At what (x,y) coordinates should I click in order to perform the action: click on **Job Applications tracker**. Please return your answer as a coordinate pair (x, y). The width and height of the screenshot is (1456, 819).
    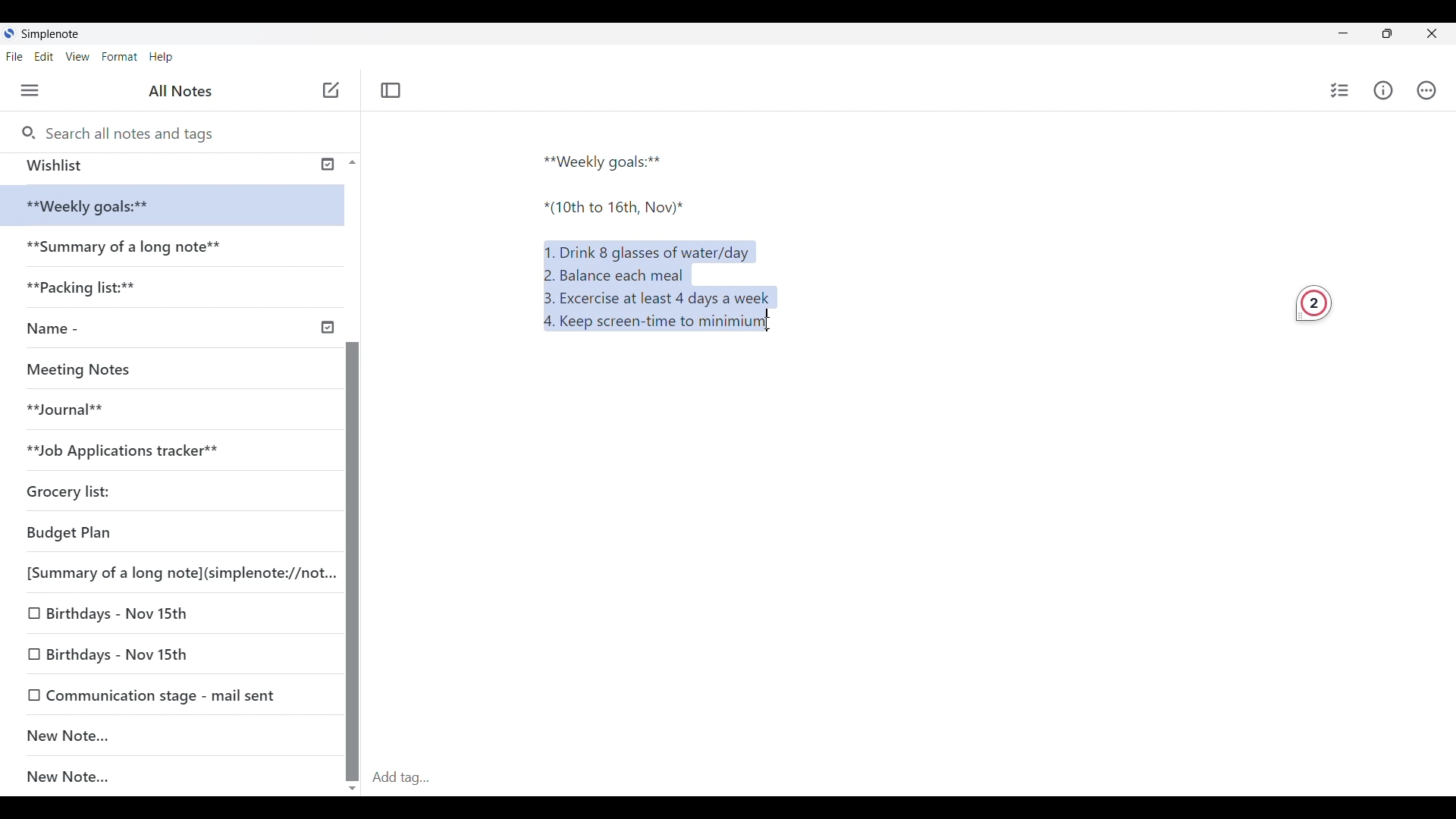
    Looking at the image, I should click on (137, 450).